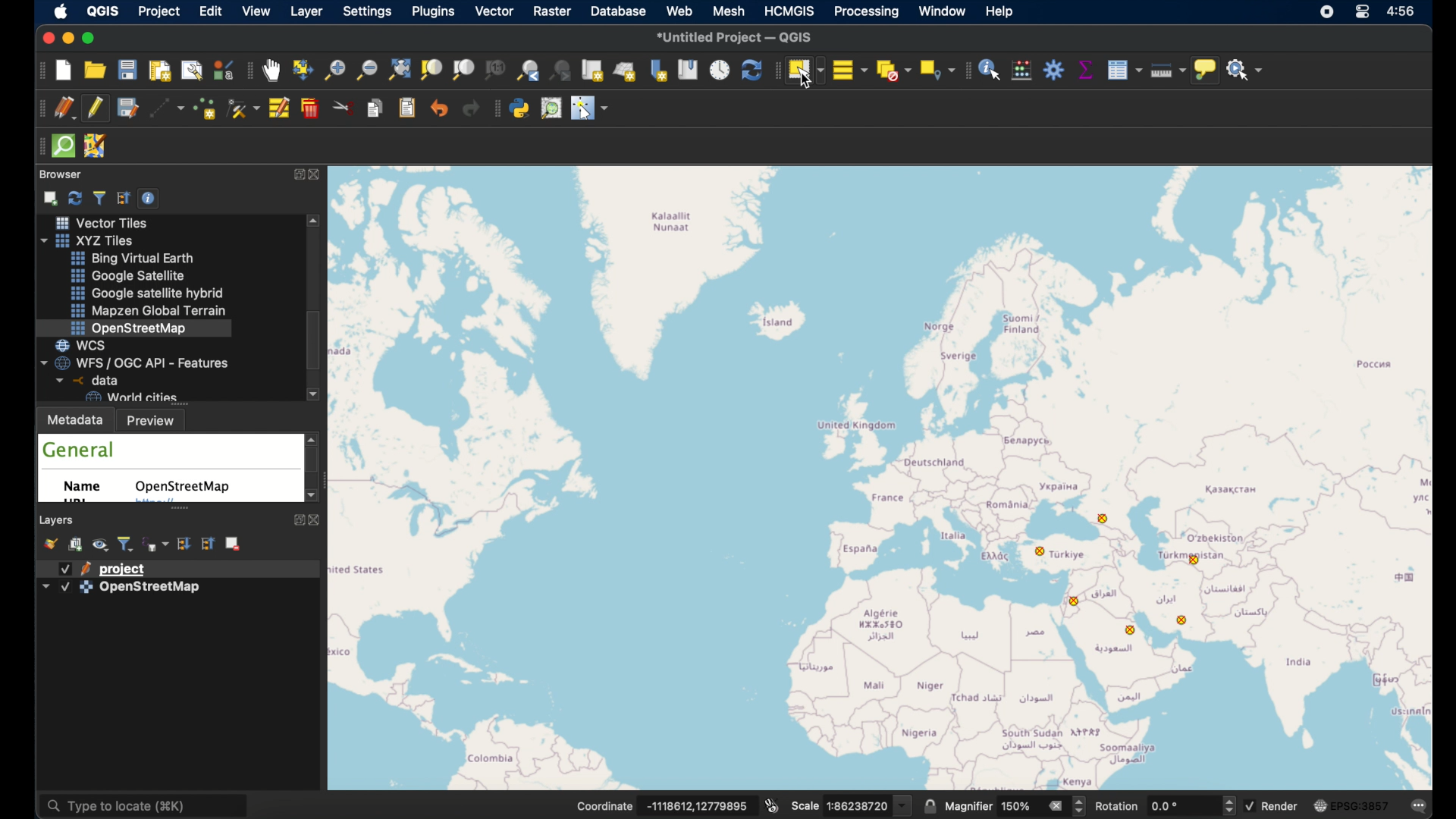 Image resolution: width=1456 pixels, height=819 pixels. Describe the element at coordinates (145, 293) in the screenshot. I see `google satellite hybrid` at that location.